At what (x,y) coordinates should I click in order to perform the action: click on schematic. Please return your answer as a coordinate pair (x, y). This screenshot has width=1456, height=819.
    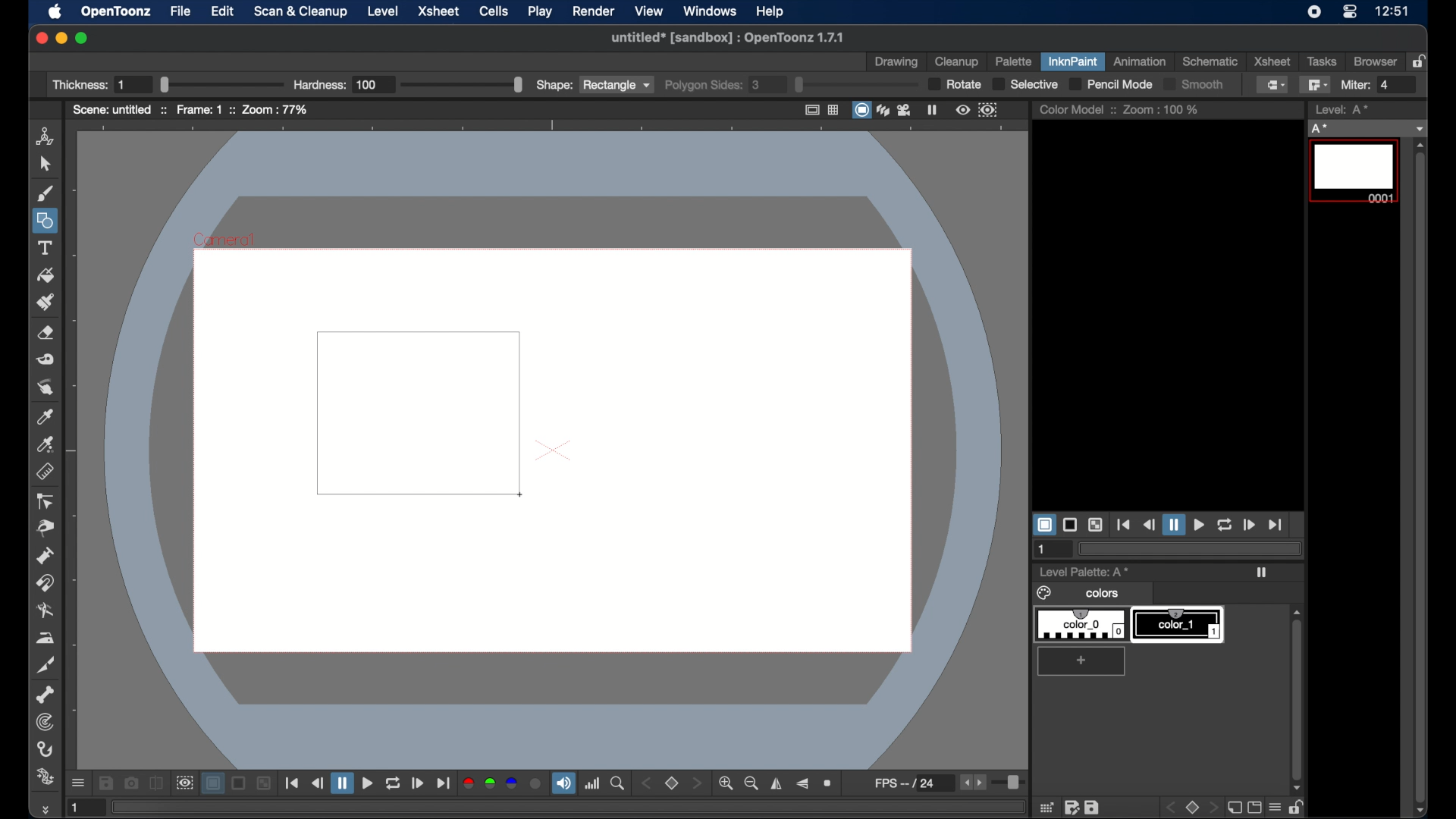
    Looking at the image, I should click on (1210, 62).